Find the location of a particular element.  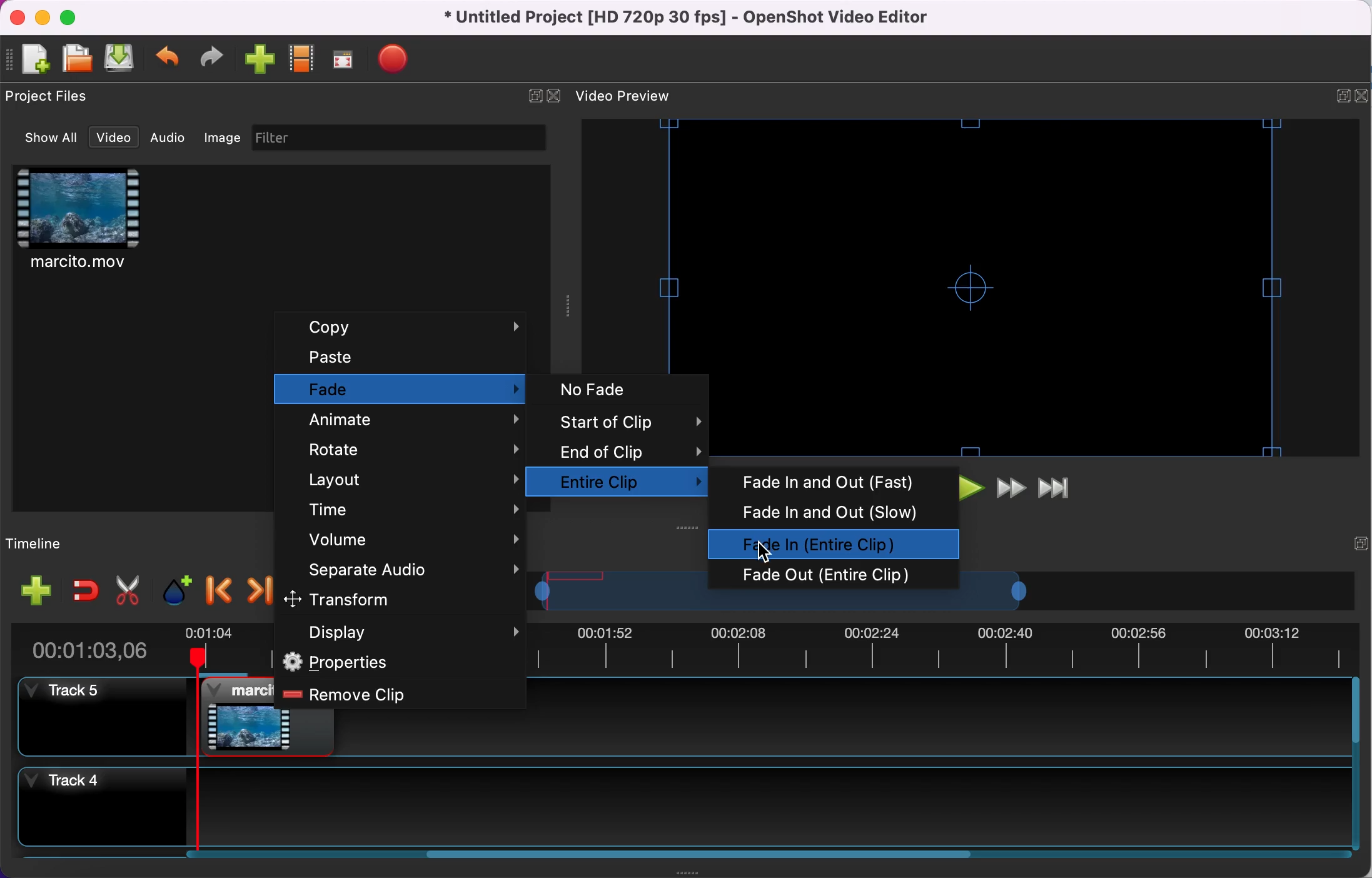

fast forward is located at coordinates (1010, 492).